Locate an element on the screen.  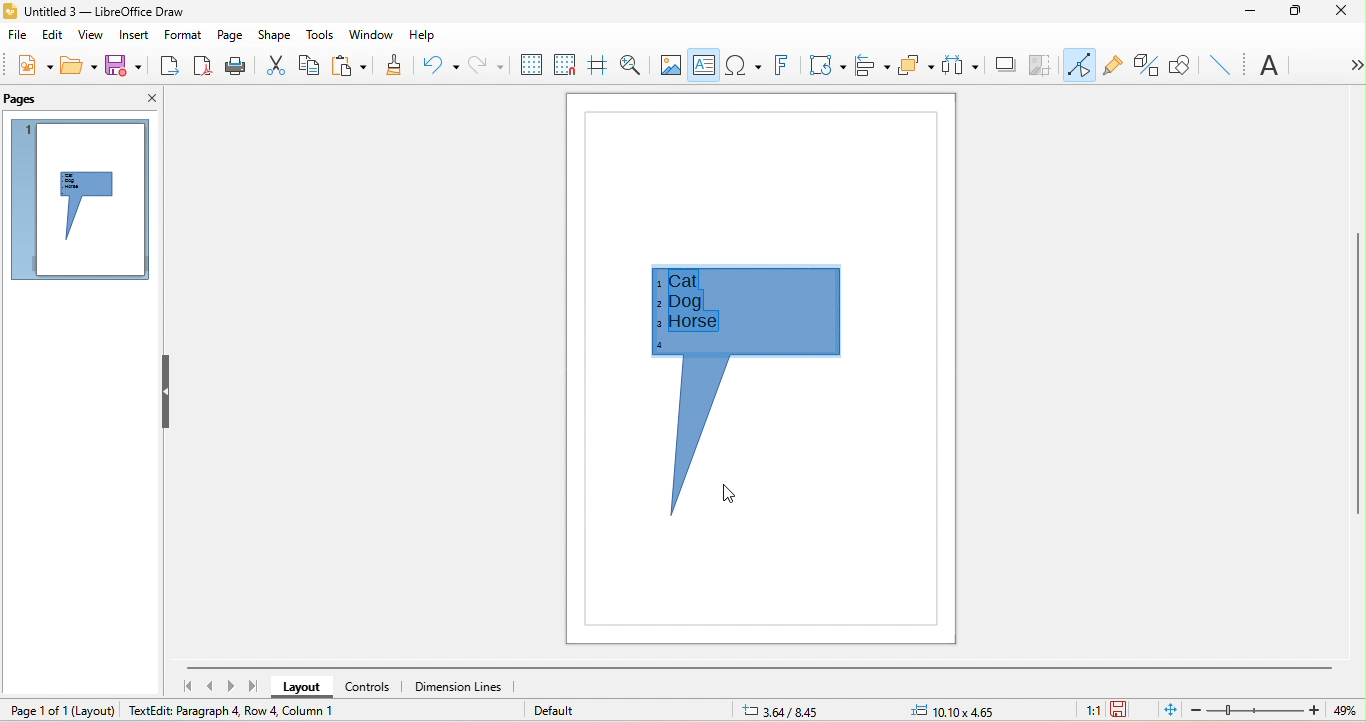
tools is located at coordinates (323, 35).